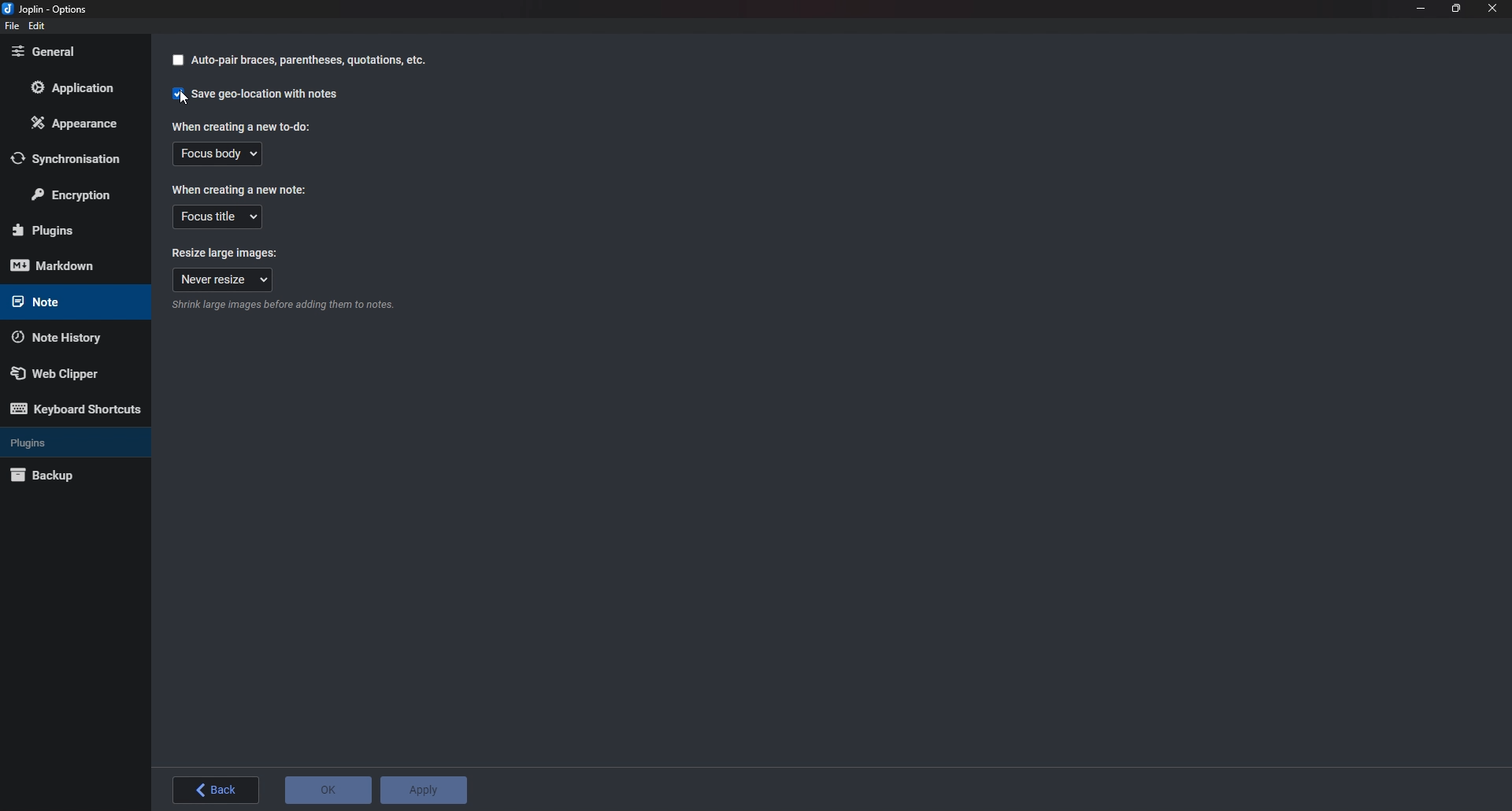  I want to click on Keyboard shortcuts, so click(75, 409).